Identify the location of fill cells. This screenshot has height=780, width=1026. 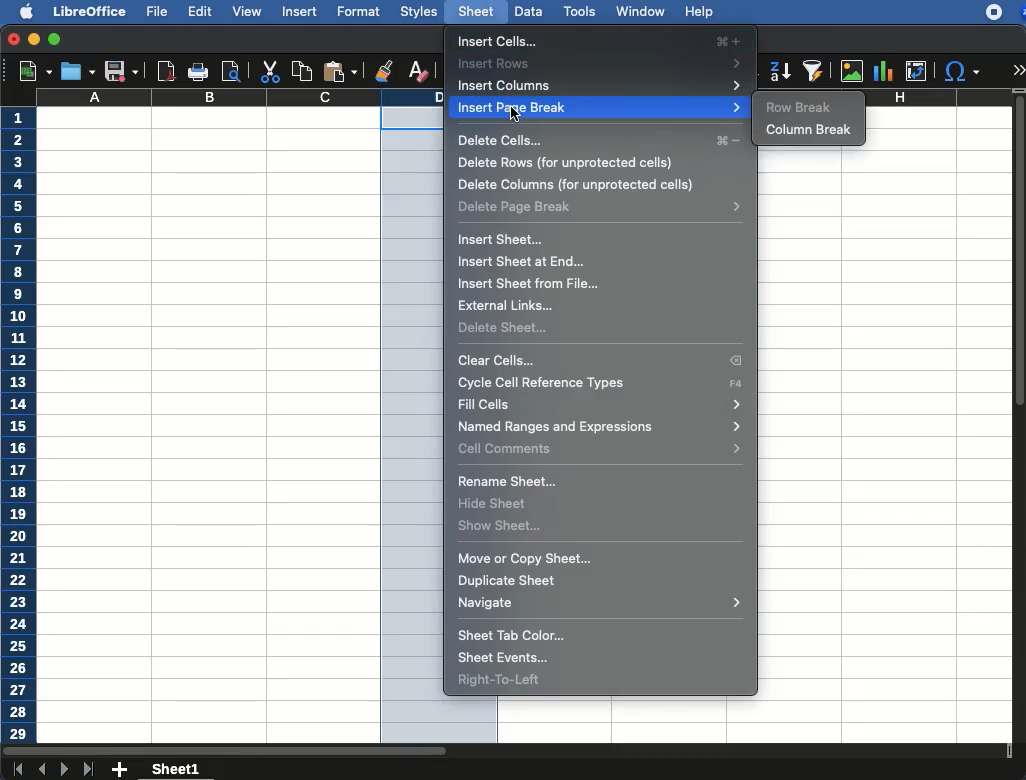
(602, 404).